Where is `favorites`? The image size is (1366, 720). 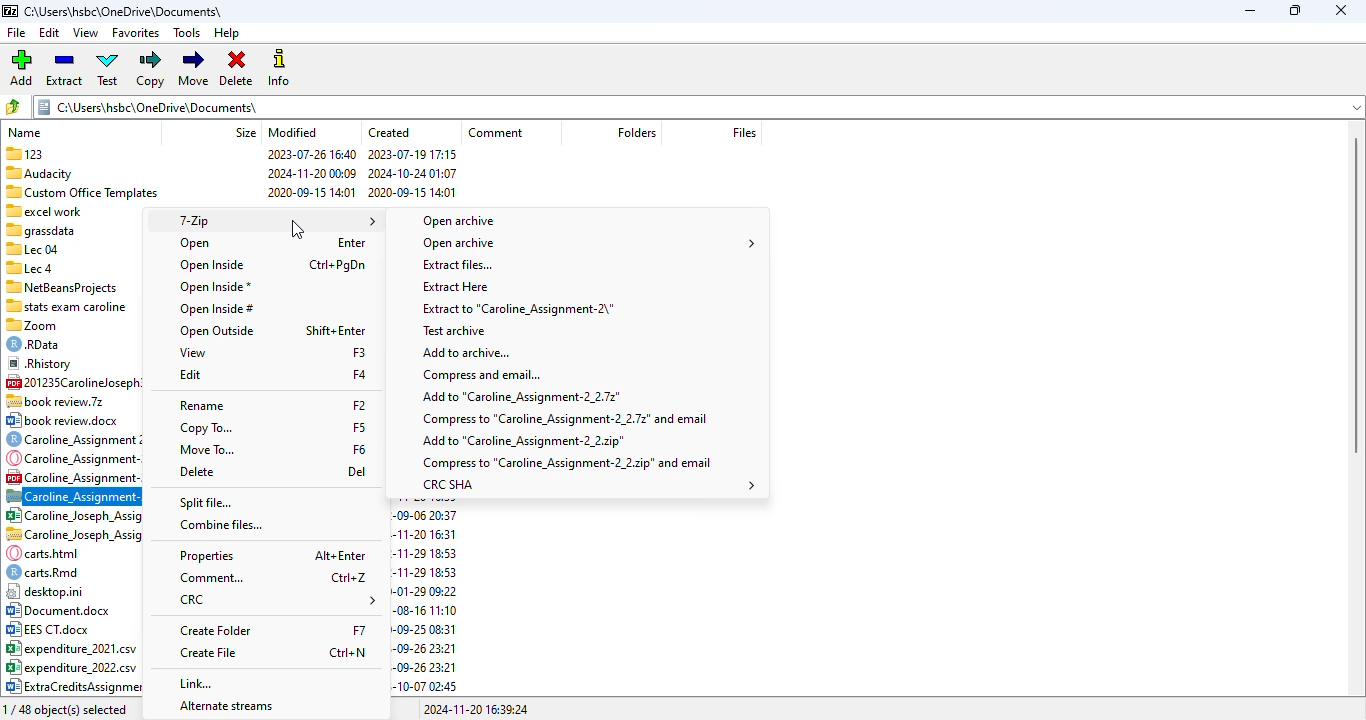
favorites is located at coordinates (135, 33).